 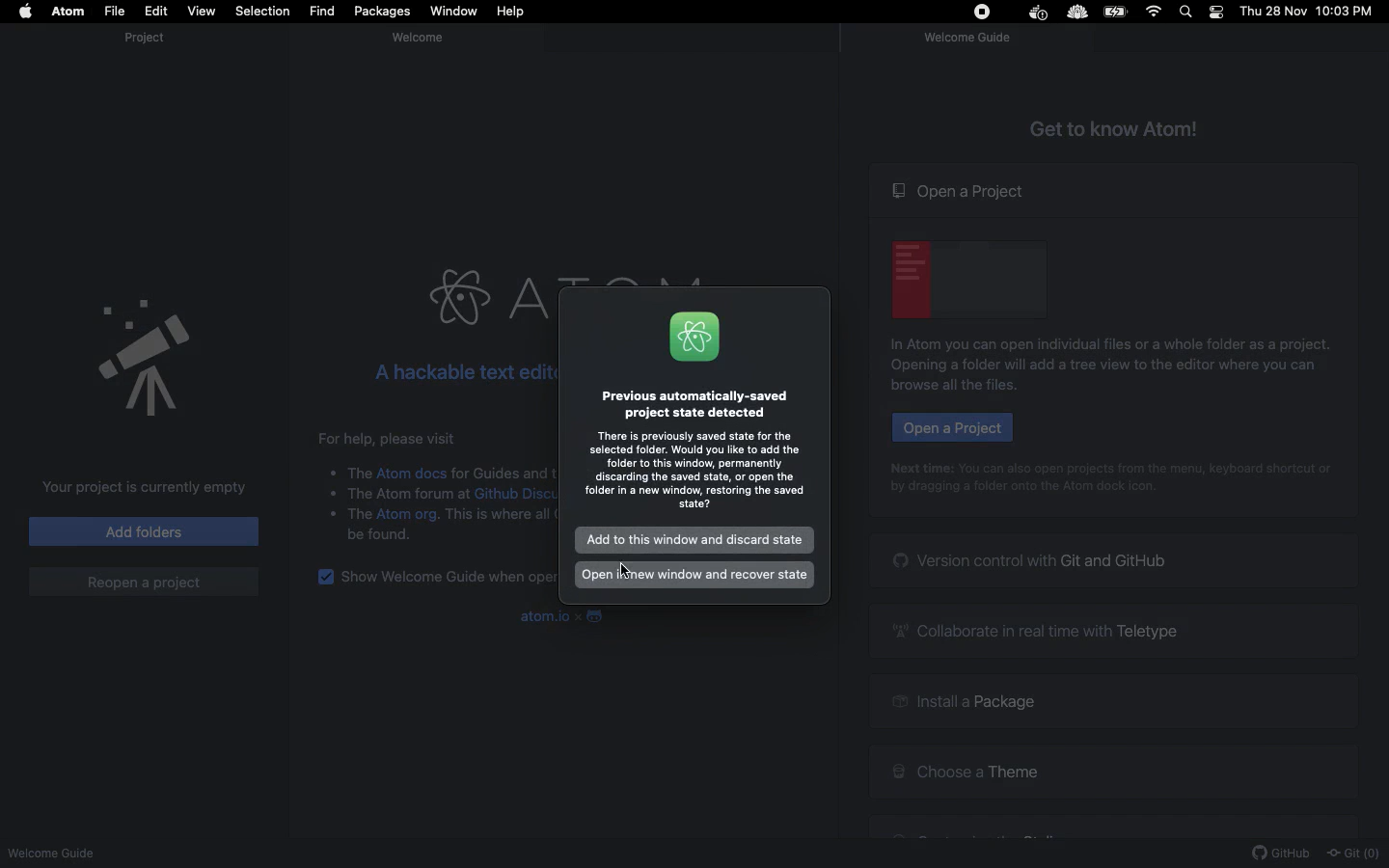 I want to click on Instructional text, so click(x=1114, y=467).